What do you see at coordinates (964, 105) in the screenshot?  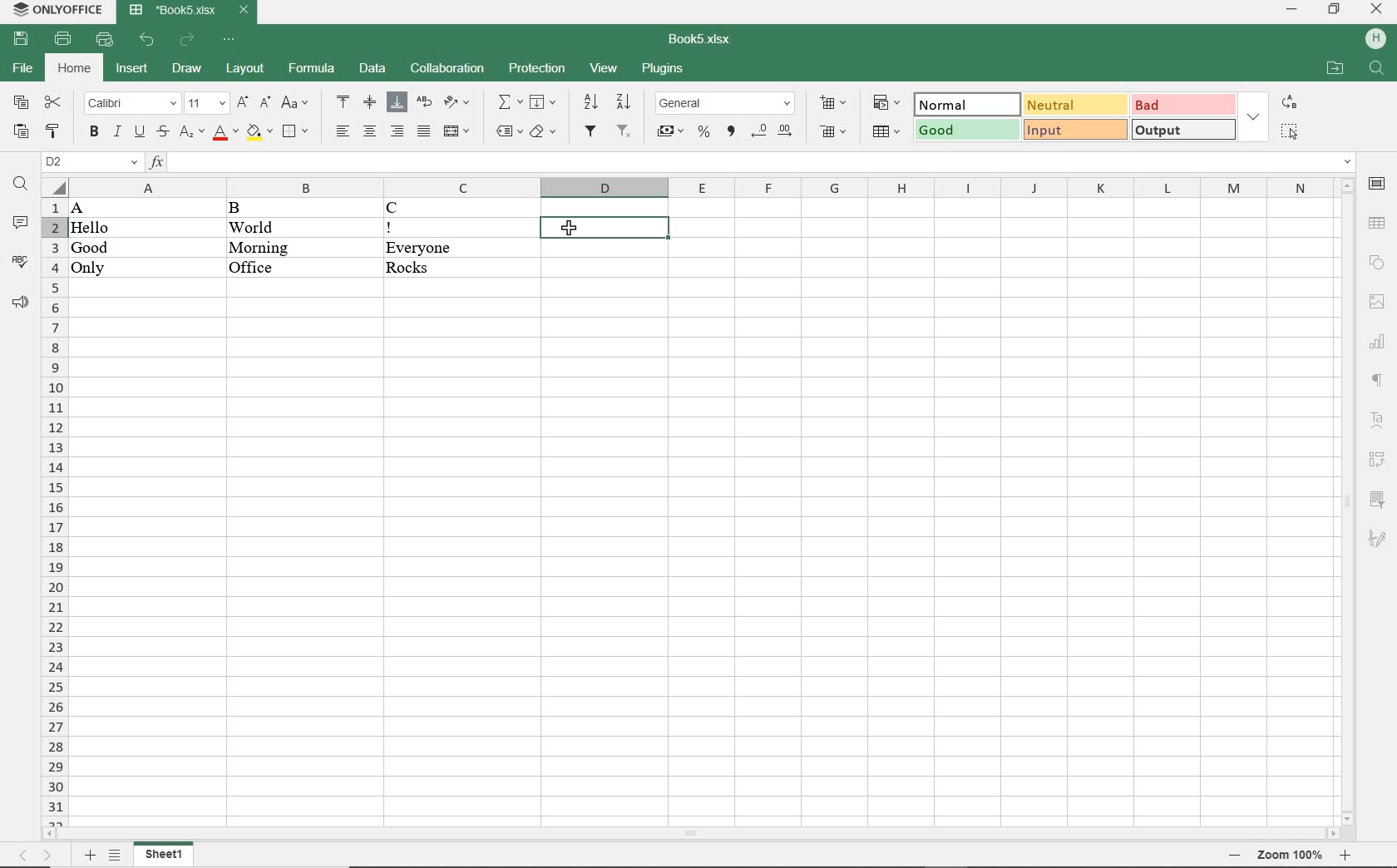 I see `NORMAL` at bounding box center [964, 105].